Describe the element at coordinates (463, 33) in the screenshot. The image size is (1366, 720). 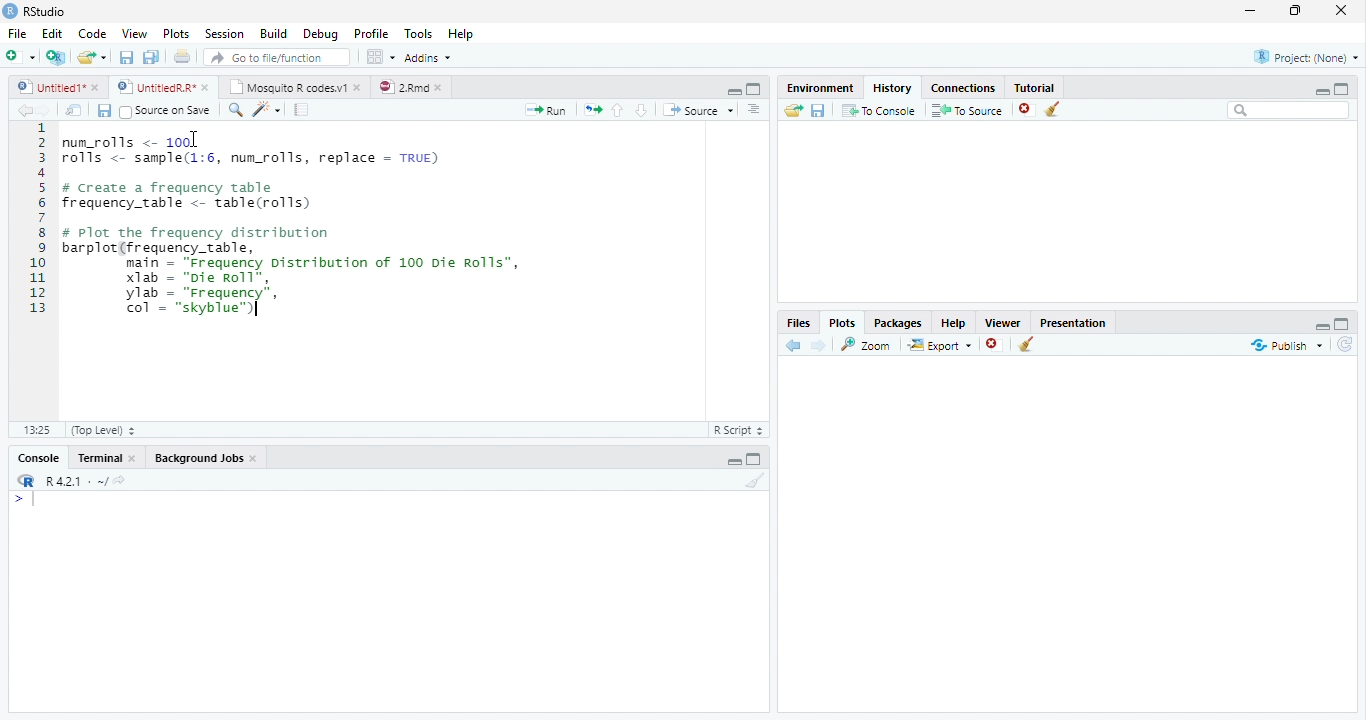
I see `Help` at that location.